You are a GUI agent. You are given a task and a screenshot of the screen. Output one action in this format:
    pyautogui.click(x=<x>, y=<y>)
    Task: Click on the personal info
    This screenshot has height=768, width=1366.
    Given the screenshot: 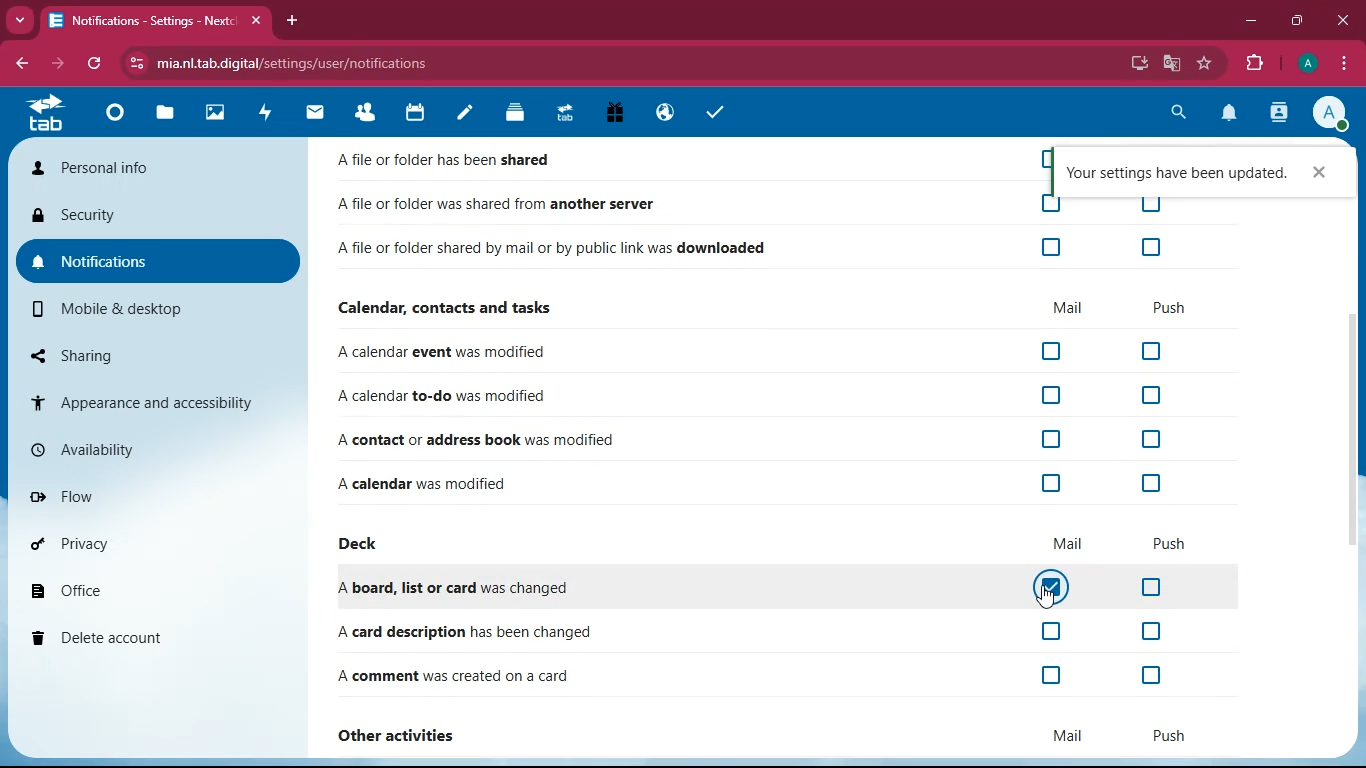 What is the action you would take?
    pyautogui.click(x=158, y=167)
    